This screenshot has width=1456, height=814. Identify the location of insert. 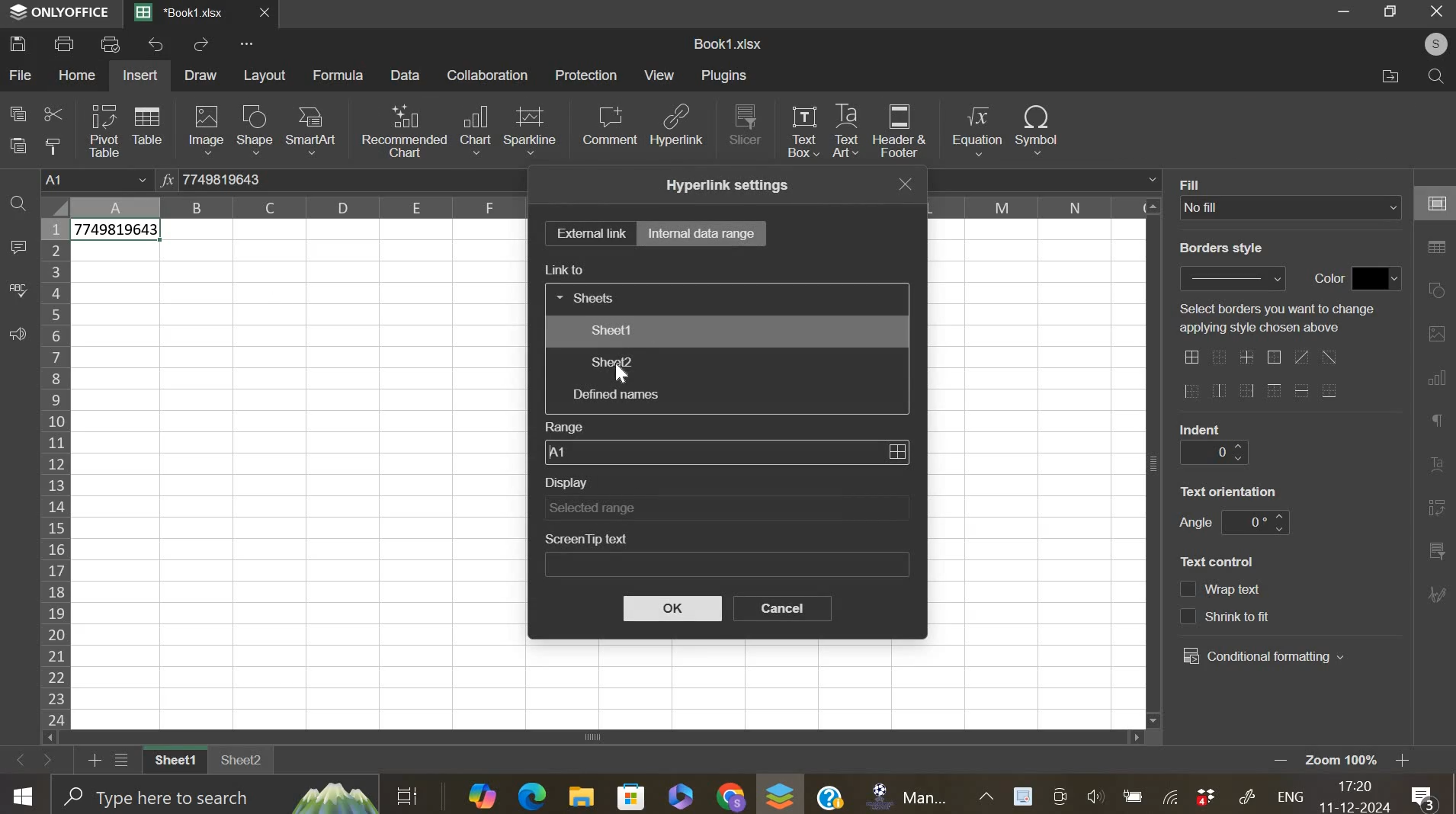
(140, 75).